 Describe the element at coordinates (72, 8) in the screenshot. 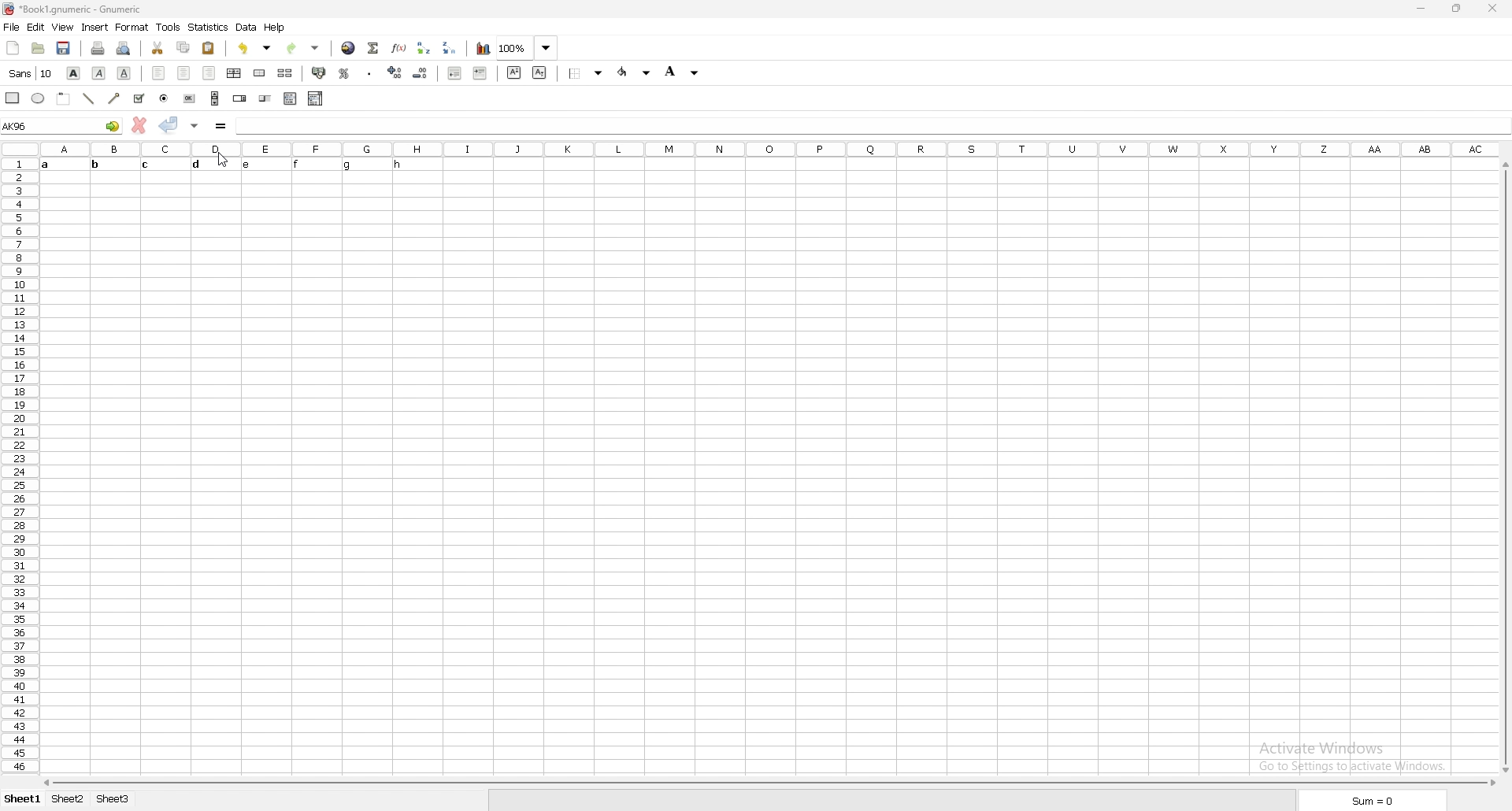

I see `file name` at that location.